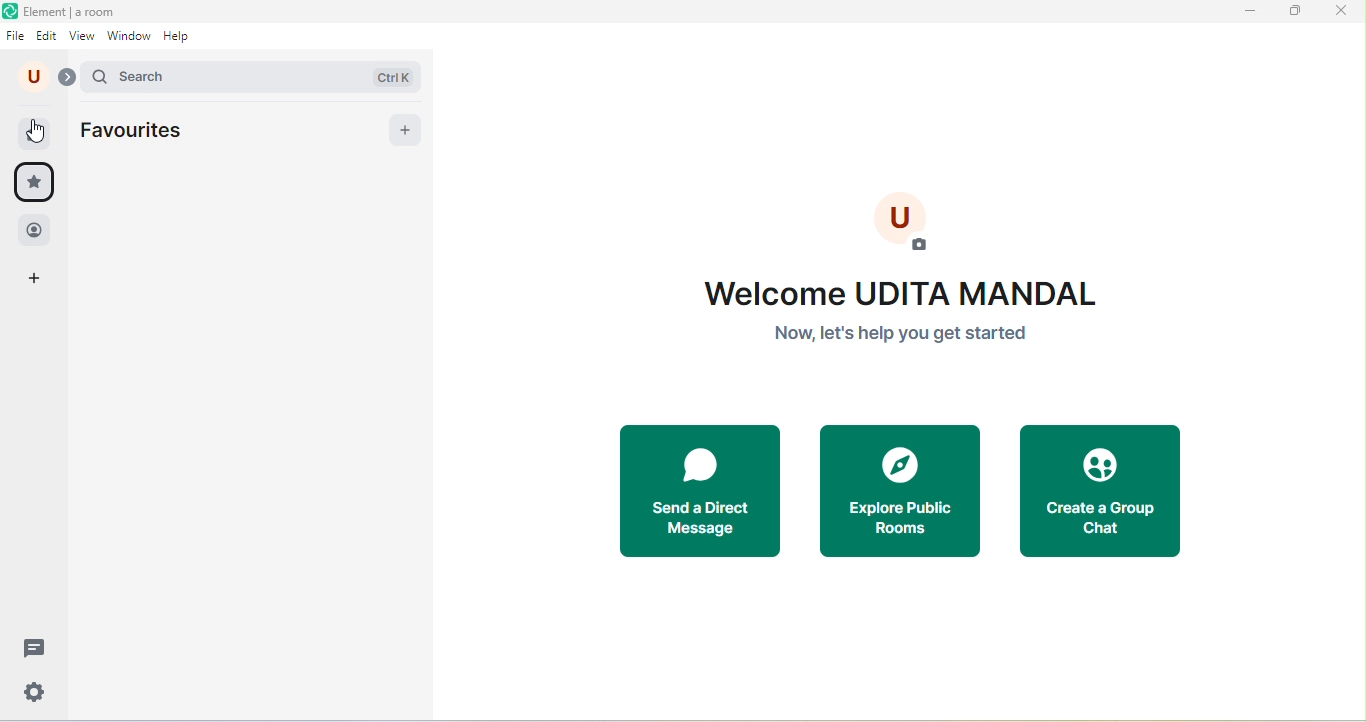  Describe the element at coordinates (43, 130) in the screenshot. I see `home` at that location.